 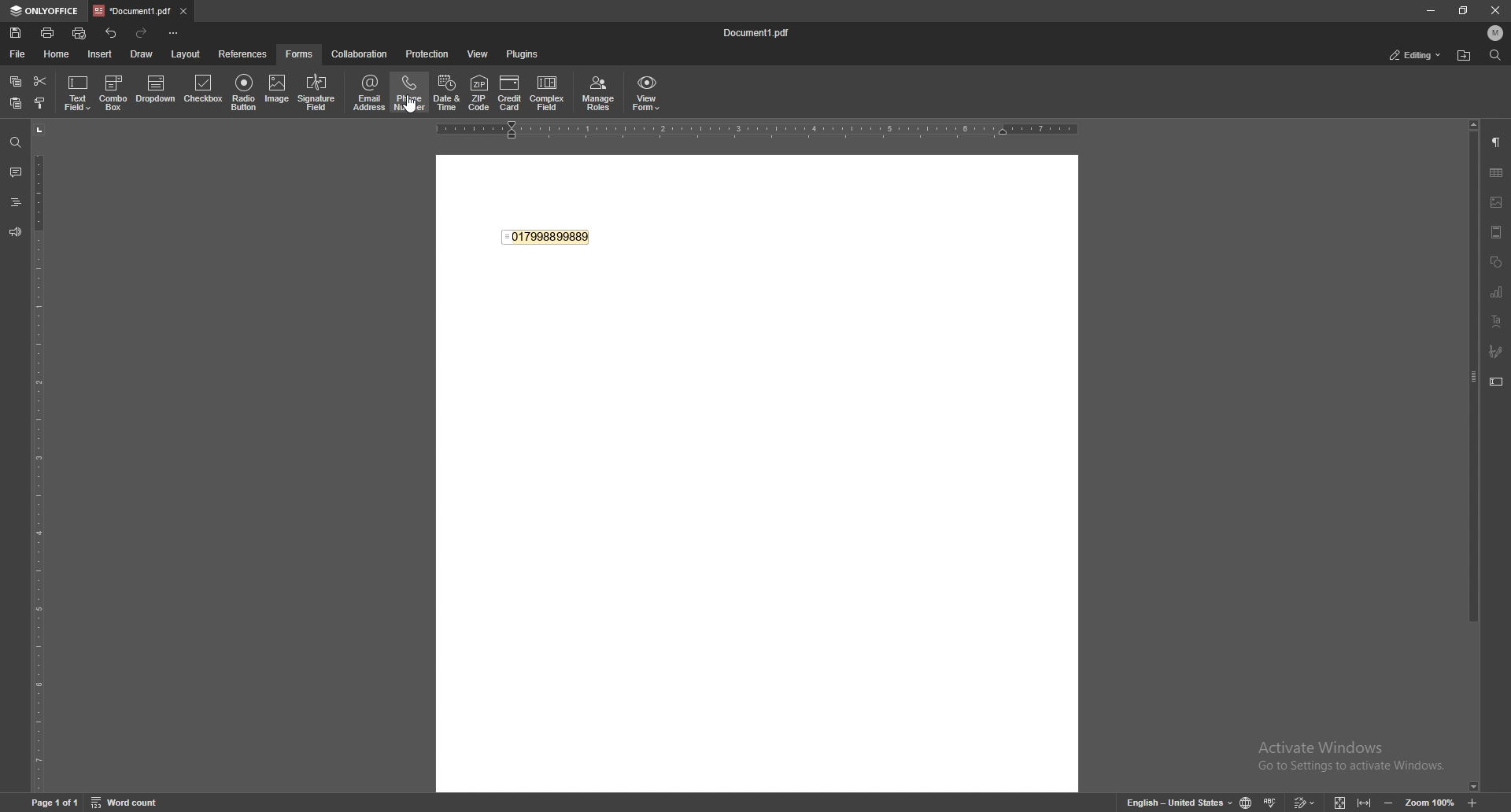 I want to click on collaboration, so click(x=360, y=54).